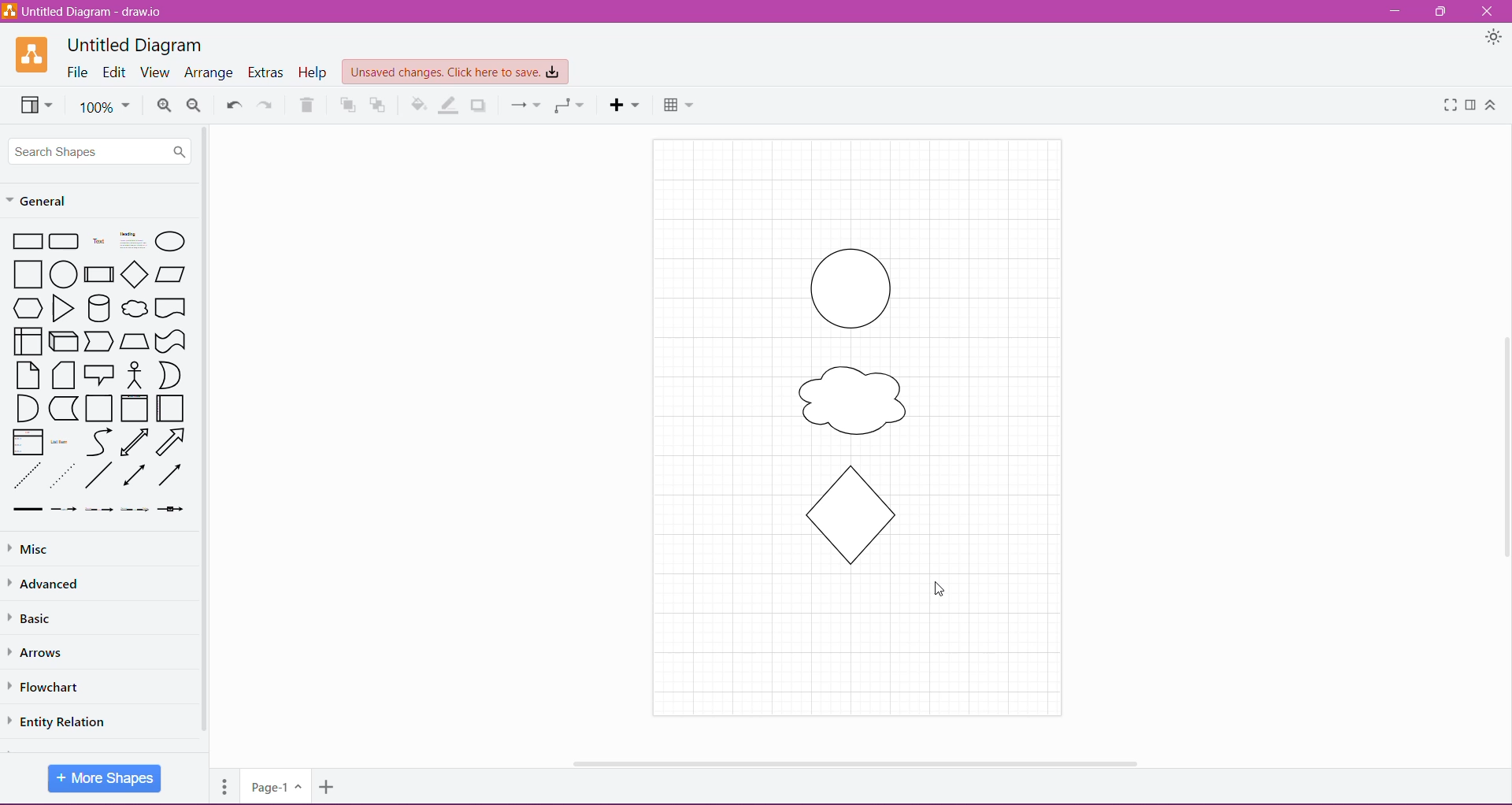  What do you see at coordinates (101, 150) in the screenshot?
I see `Search Shapes` at bounding box center [101, 150].